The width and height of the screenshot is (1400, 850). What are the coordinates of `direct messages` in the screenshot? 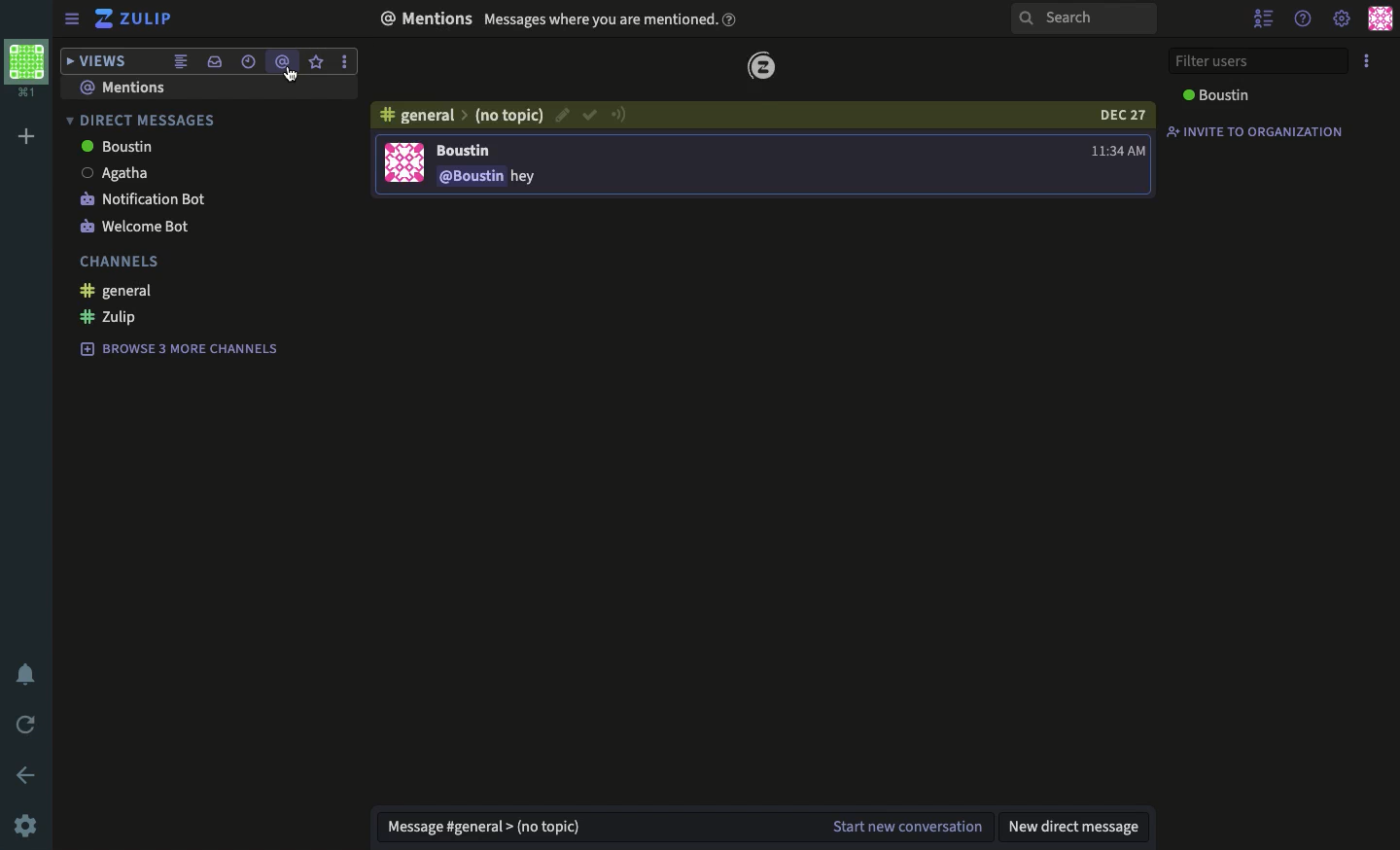 It's located at (142, 120).